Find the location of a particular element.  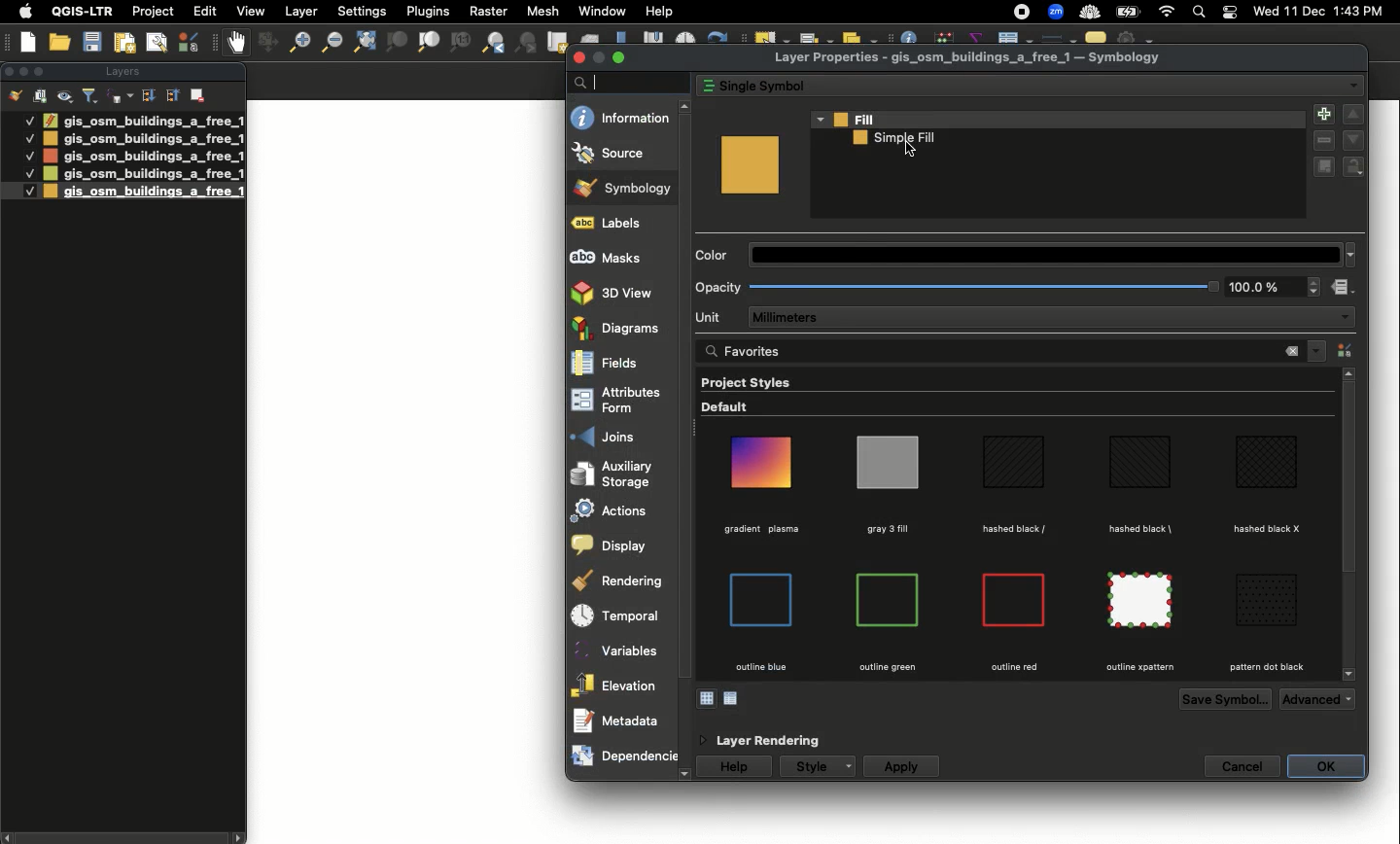

Drop down is located at coordinates (1350, 702).